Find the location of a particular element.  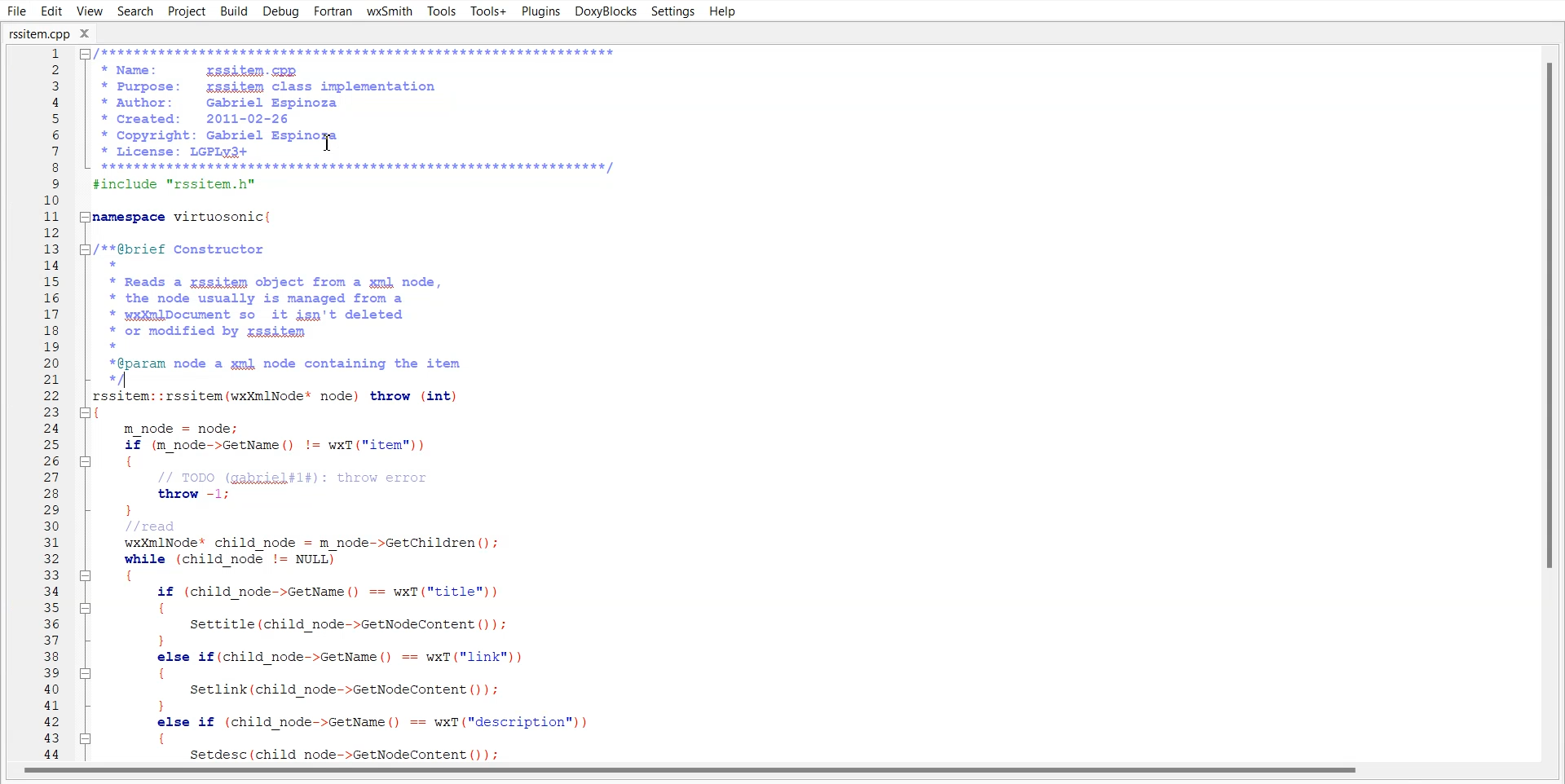

Vertical scroll bar is located at coordinates (1544, 400).